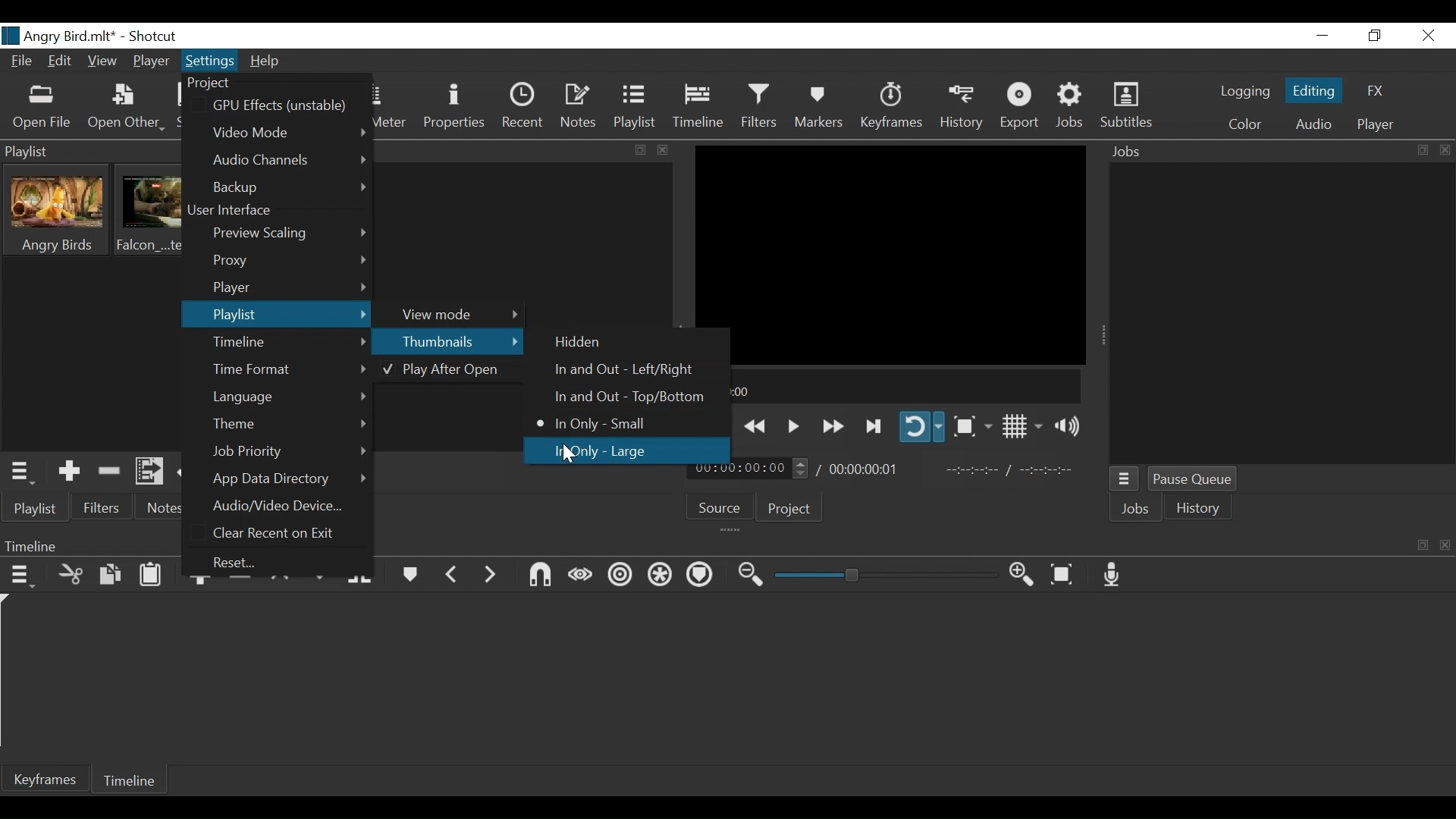  I want to click on In point, so click(1012, 472).